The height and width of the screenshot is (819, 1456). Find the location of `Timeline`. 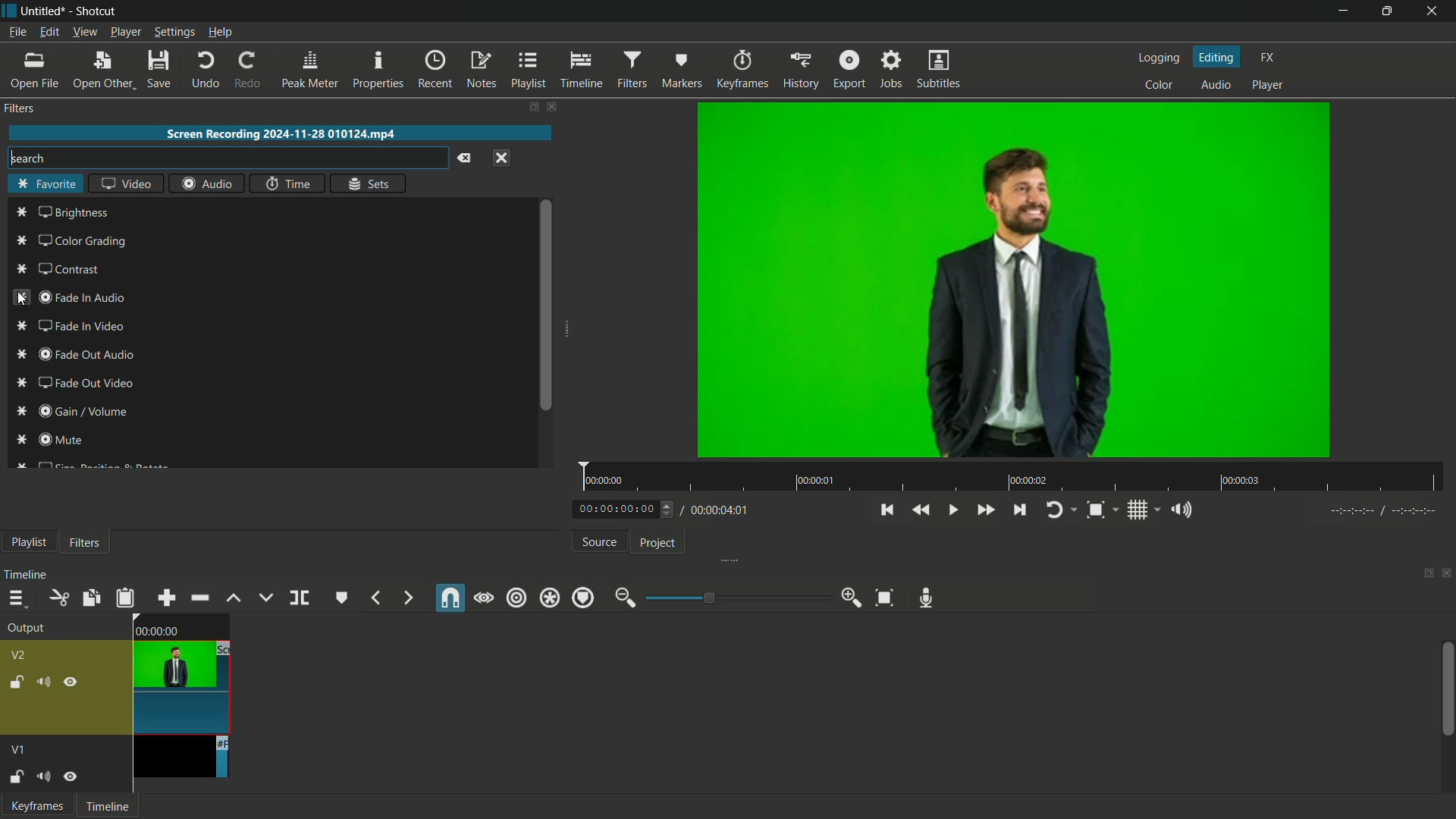

Timeline is located at coordinates (107, 805).